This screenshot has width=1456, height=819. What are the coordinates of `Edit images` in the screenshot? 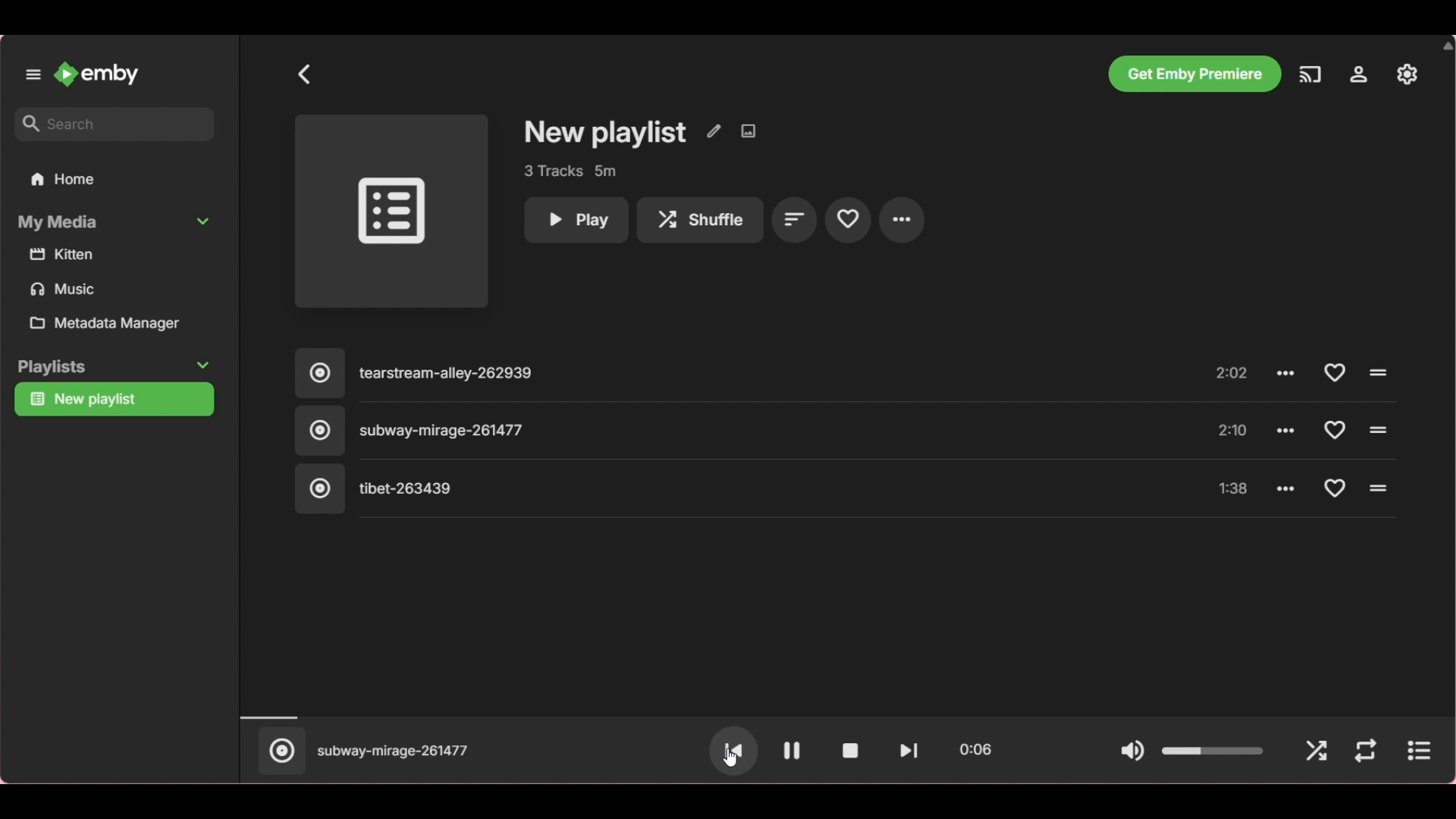 It's located at (748, 131).